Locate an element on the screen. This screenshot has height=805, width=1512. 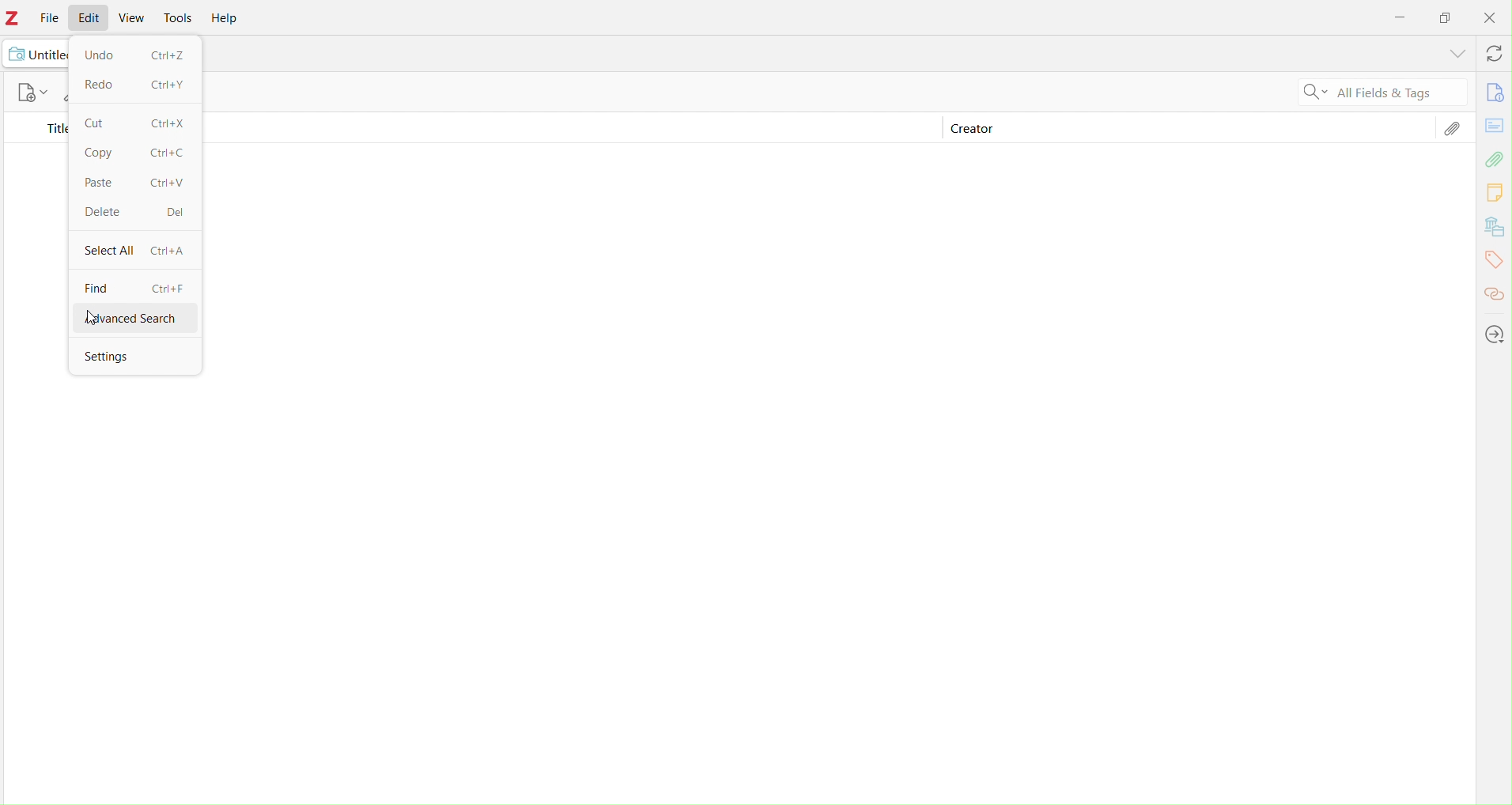
Links is located at coordinates (1495, 289).